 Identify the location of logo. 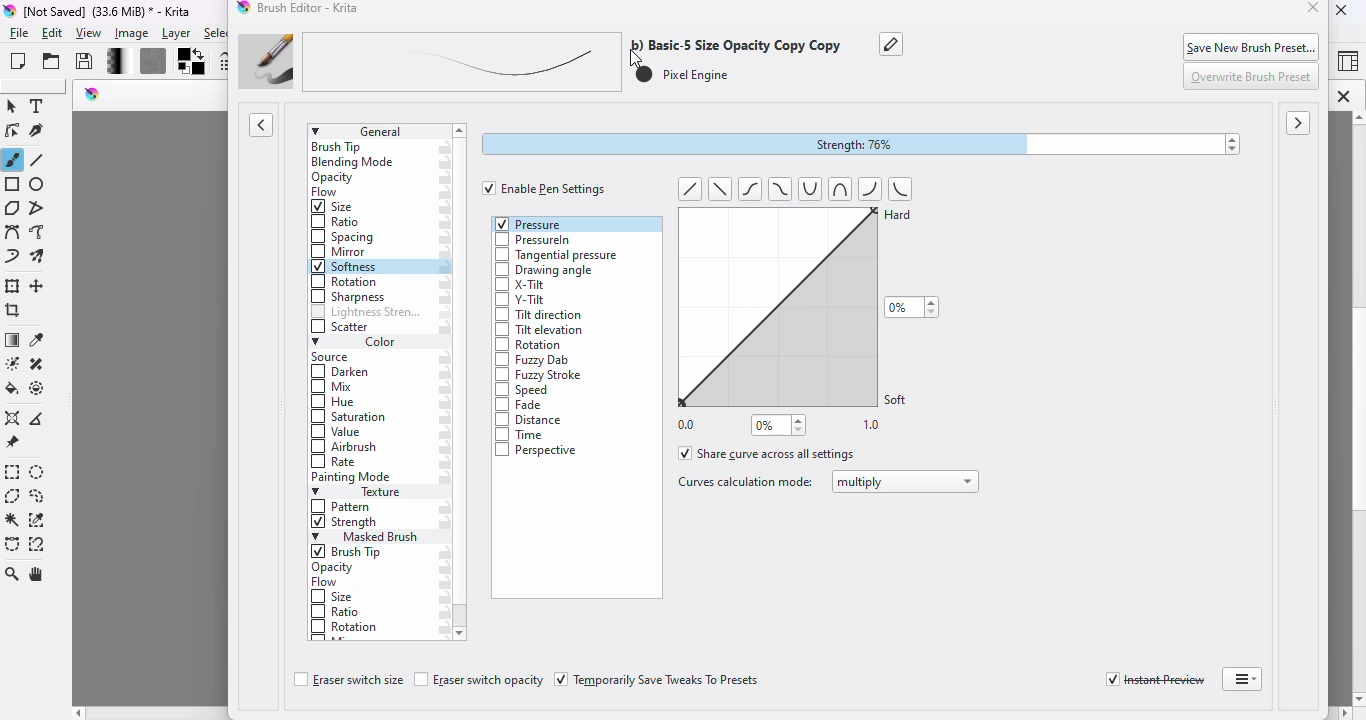
(244, 9).